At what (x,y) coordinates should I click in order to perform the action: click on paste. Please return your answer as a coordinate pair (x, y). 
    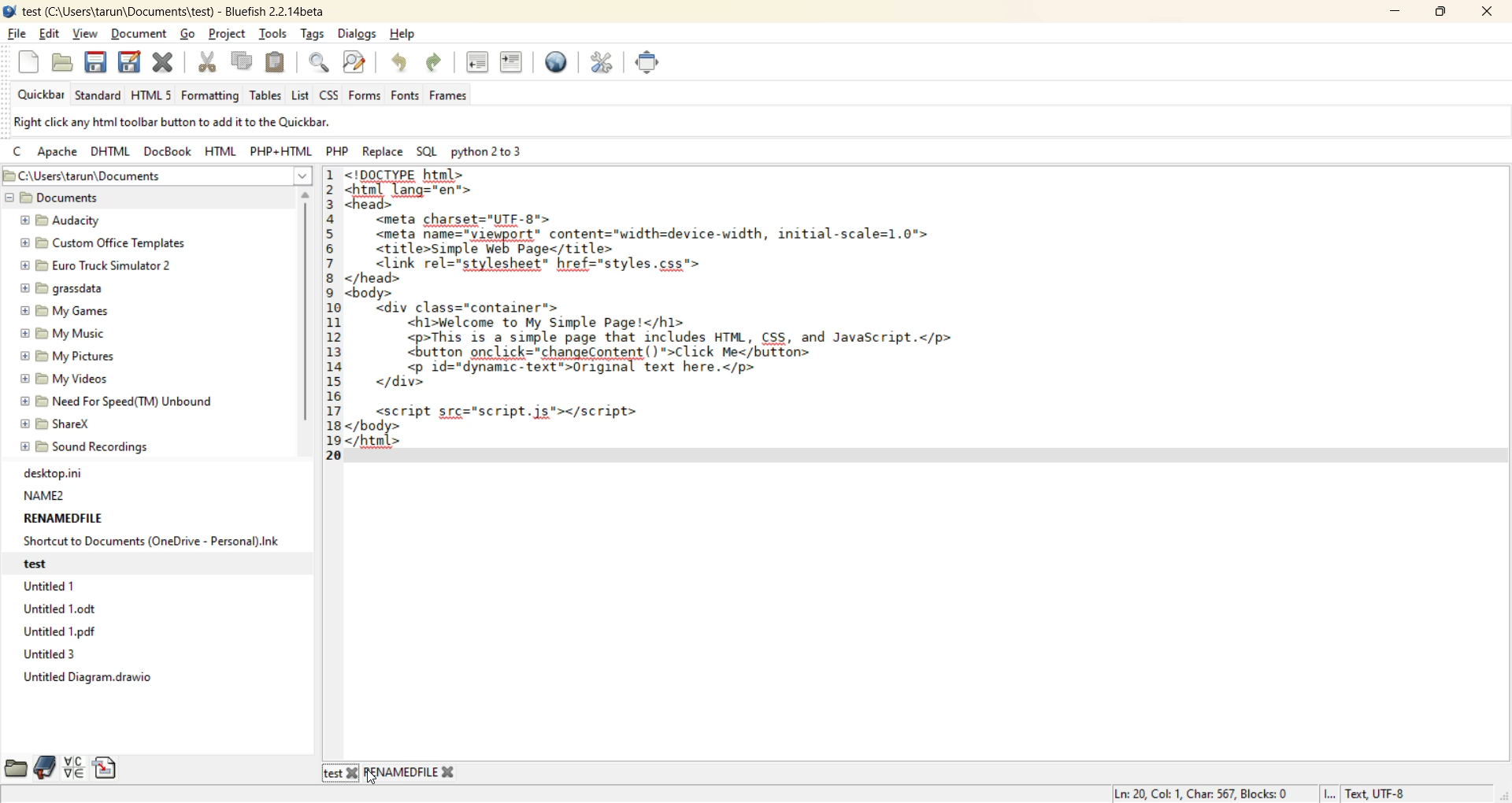
    Looking at the image, I should click on (276, 61).